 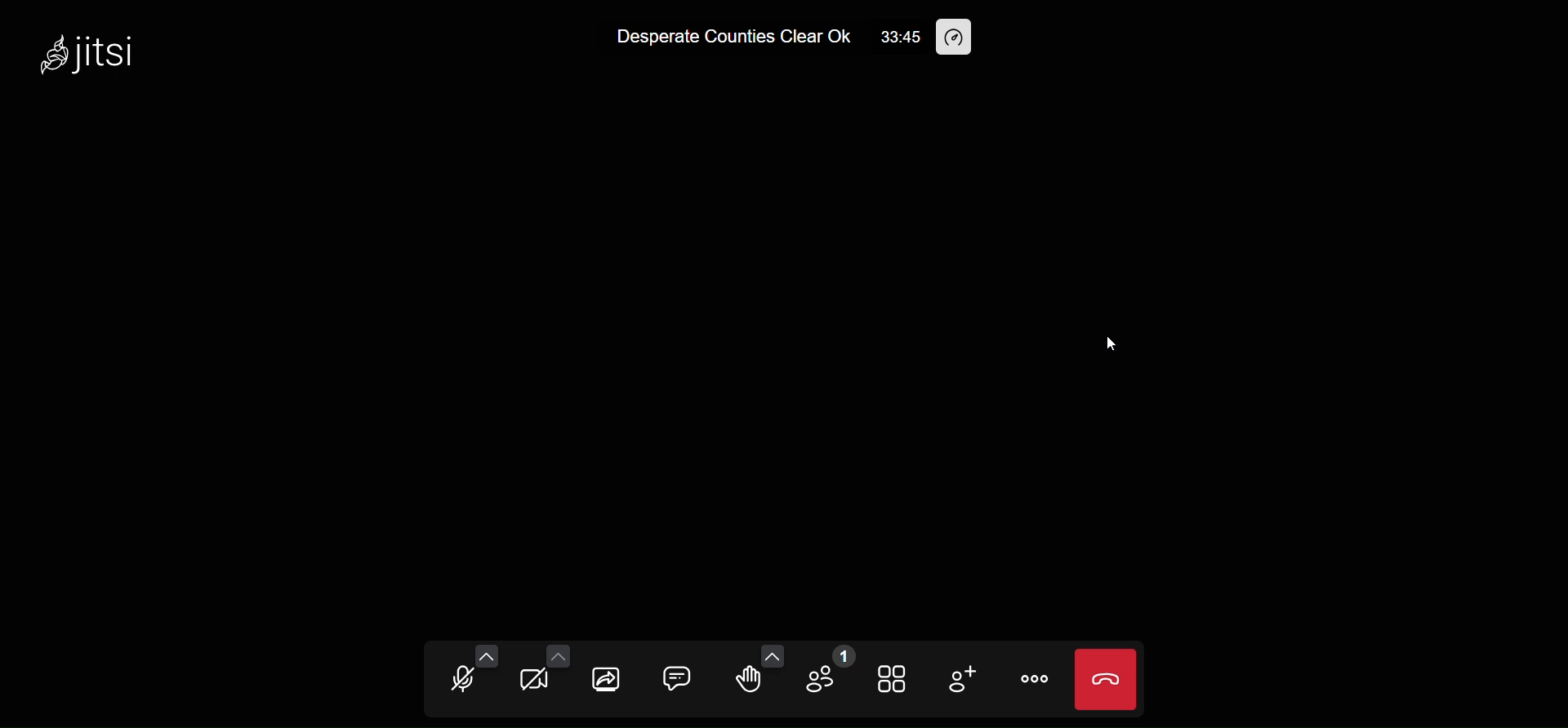 I want to click on raise hand, so click(x=748, y=680).